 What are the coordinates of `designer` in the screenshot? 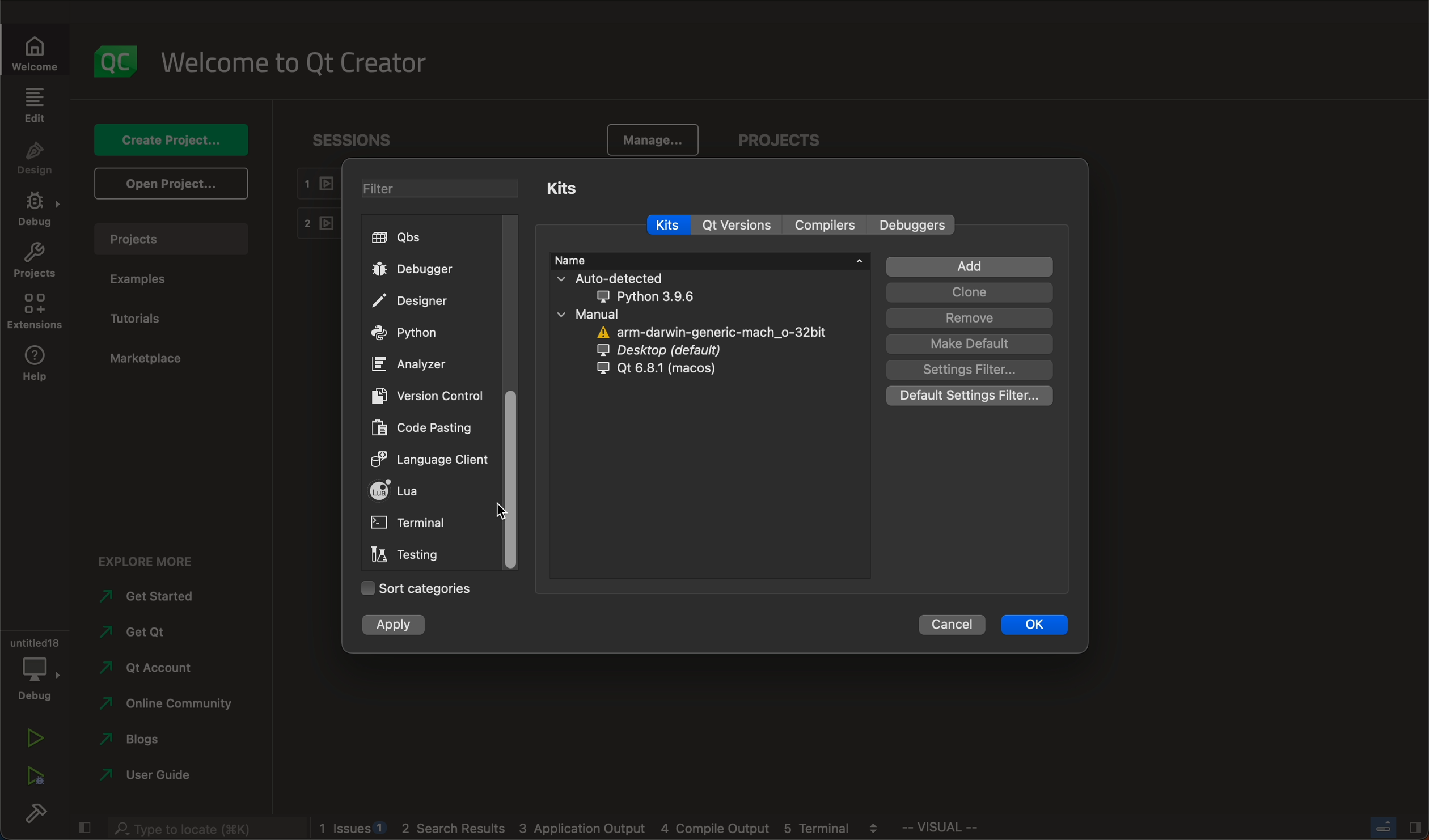 It's located at (421, 300).